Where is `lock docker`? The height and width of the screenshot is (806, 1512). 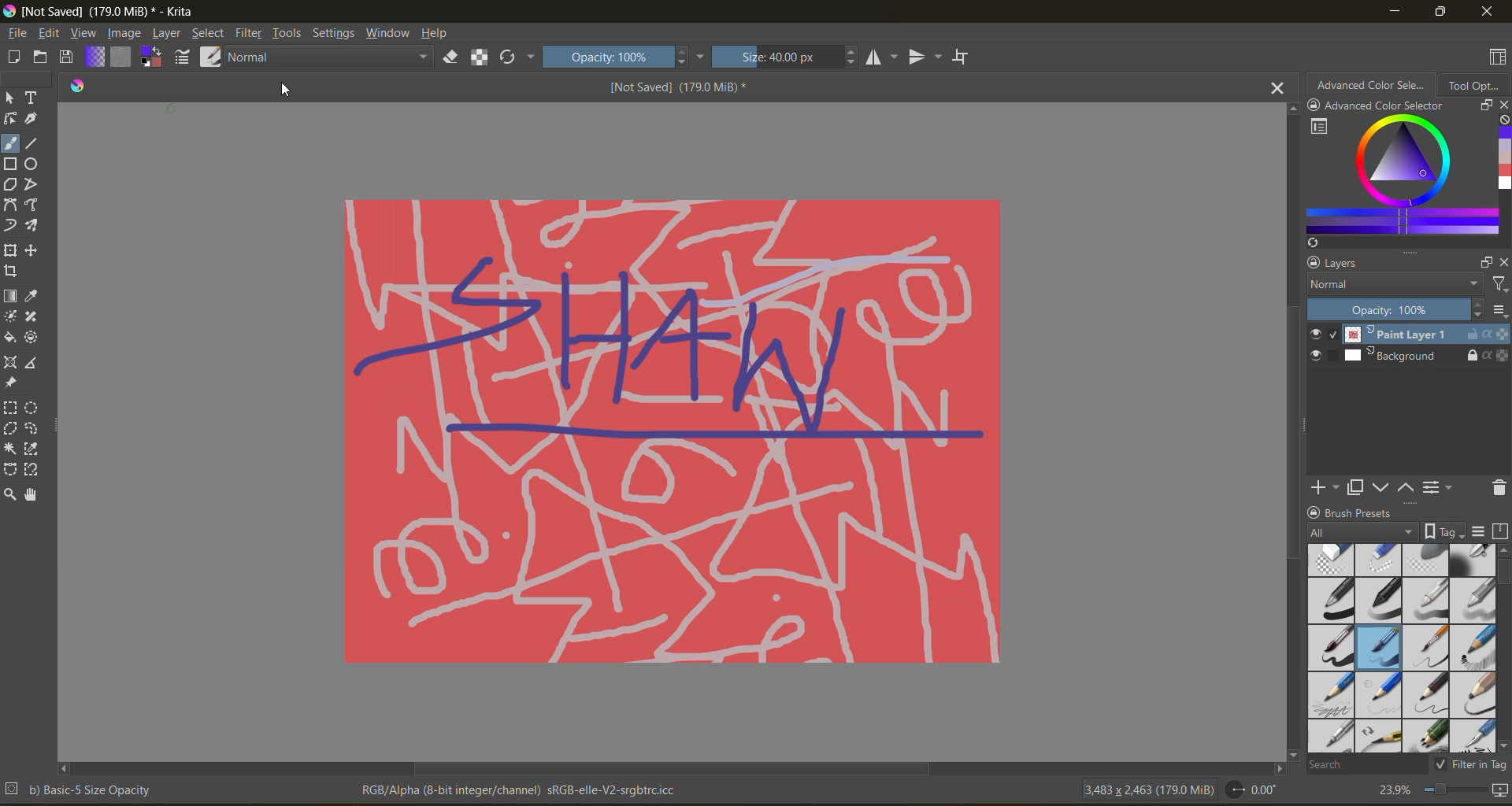
lock docker is located at coordinates (1316, 105).